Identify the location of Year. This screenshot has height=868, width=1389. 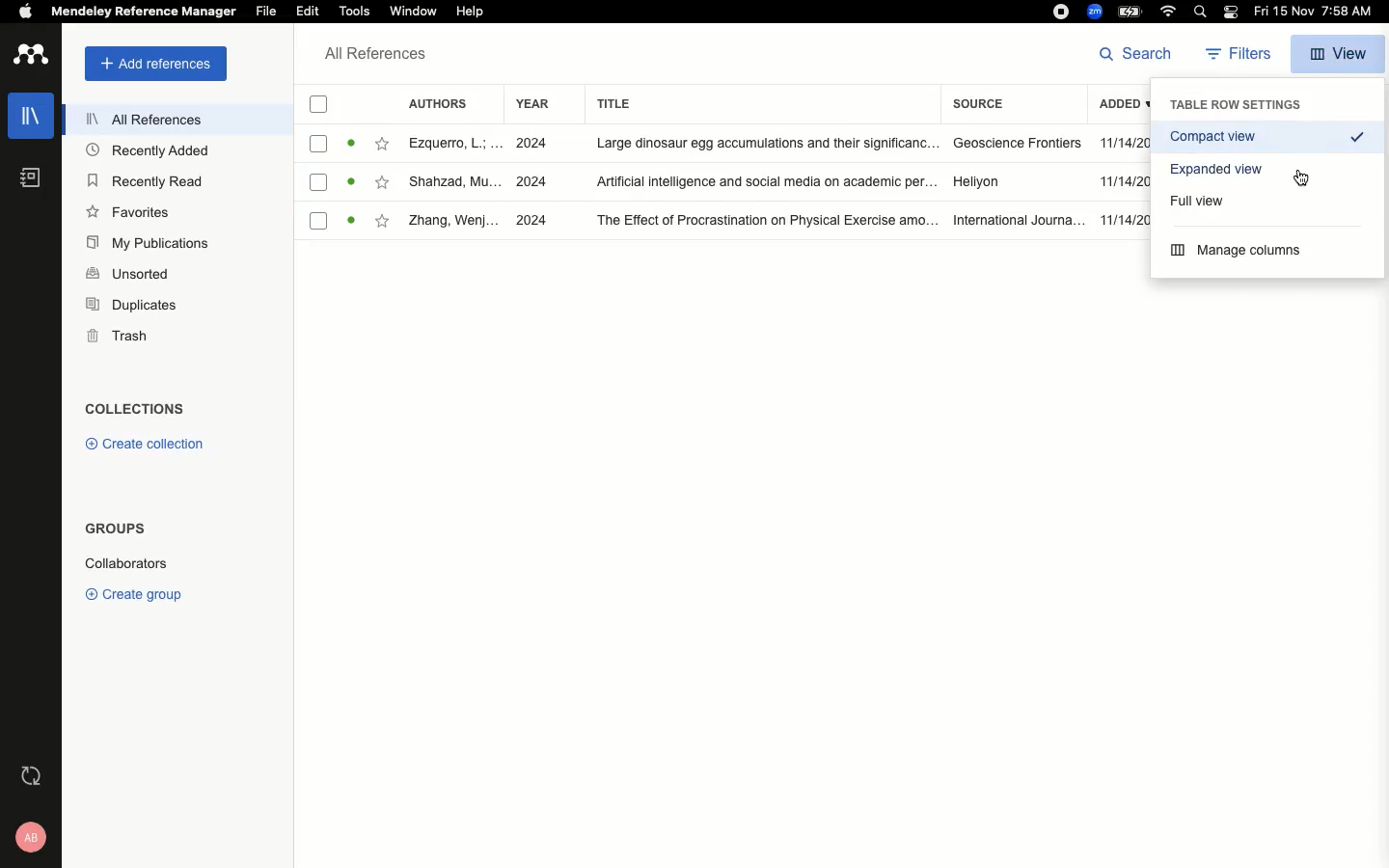
(530, 107).